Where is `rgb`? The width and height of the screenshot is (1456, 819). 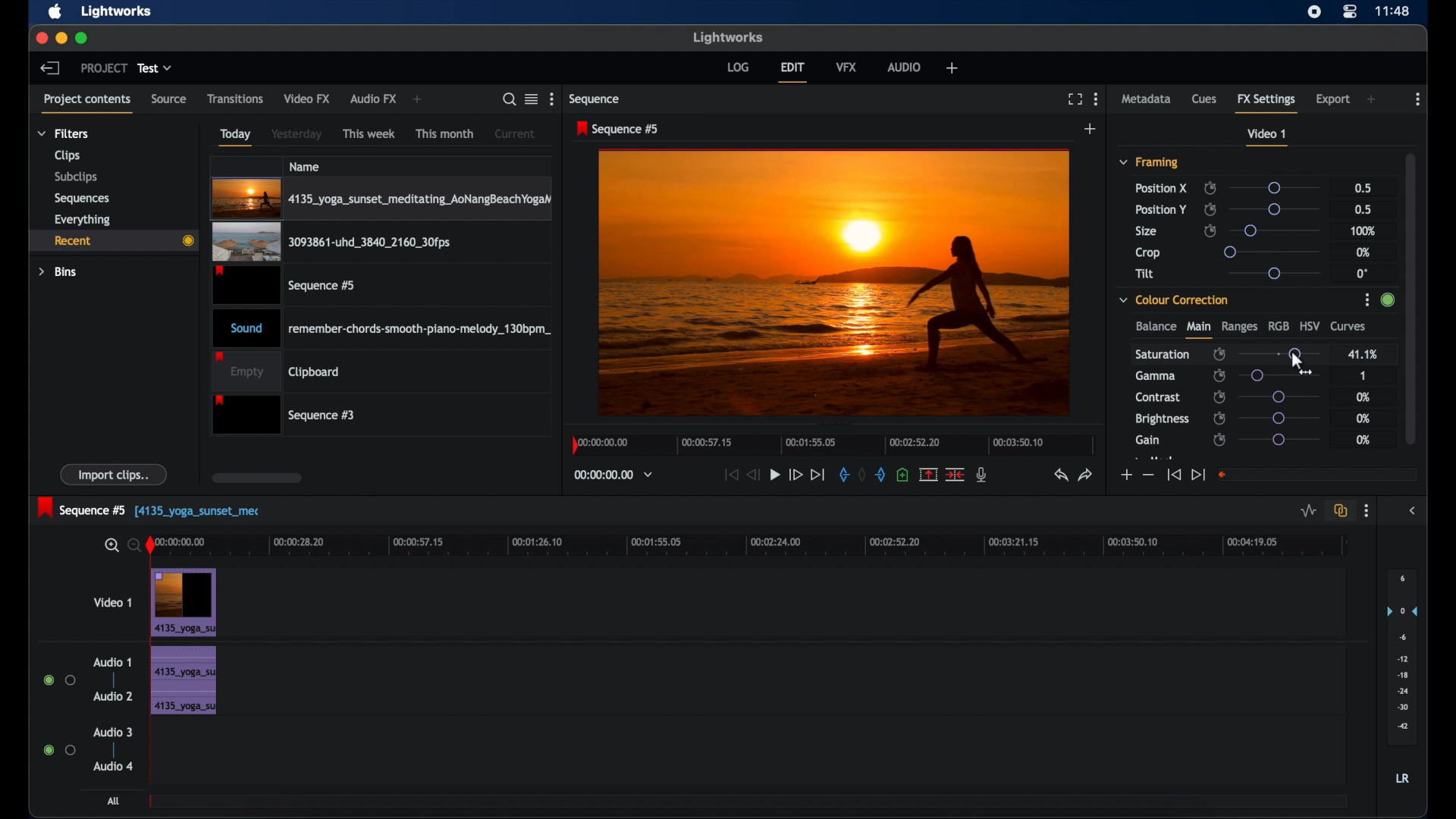
rgb is located at coordinates (1279, 325).